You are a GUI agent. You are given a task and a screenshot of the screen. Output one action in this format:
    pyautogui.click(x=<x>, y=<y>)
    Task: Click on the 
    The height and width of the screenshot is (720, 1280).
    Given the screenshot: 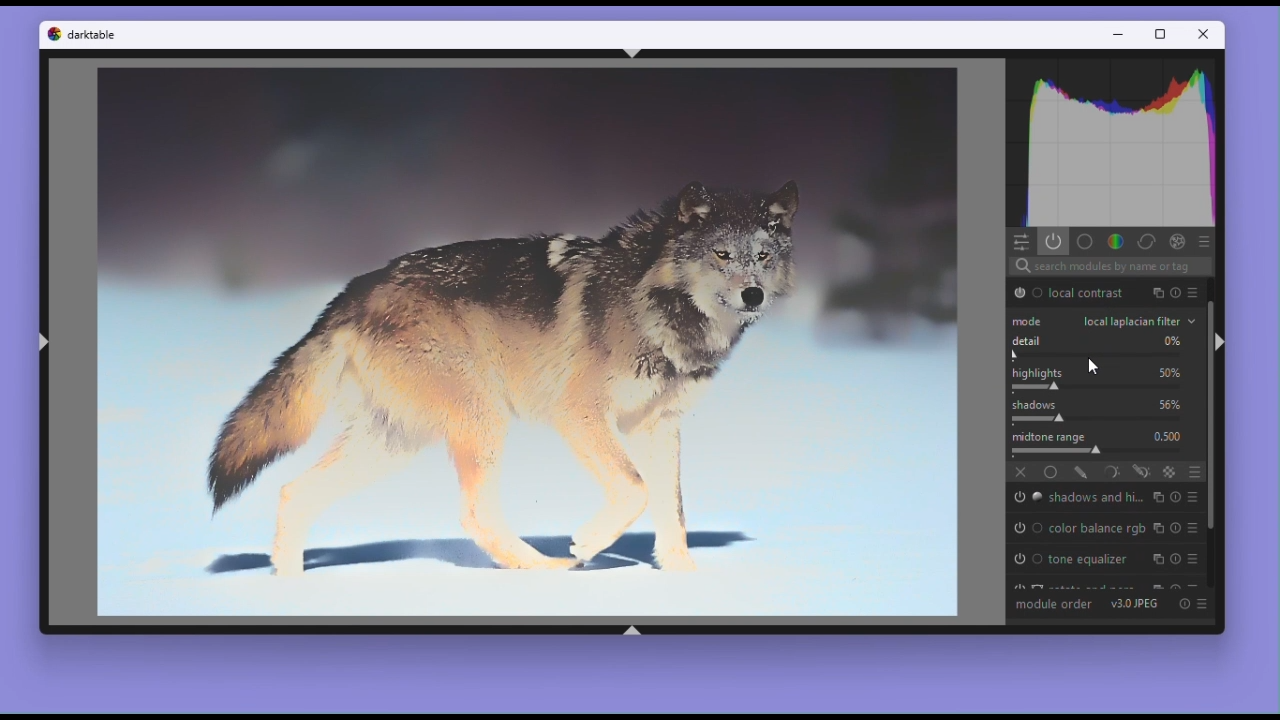 What is the action you would take?
    pyautogui.click(x=1155, y=294)
    